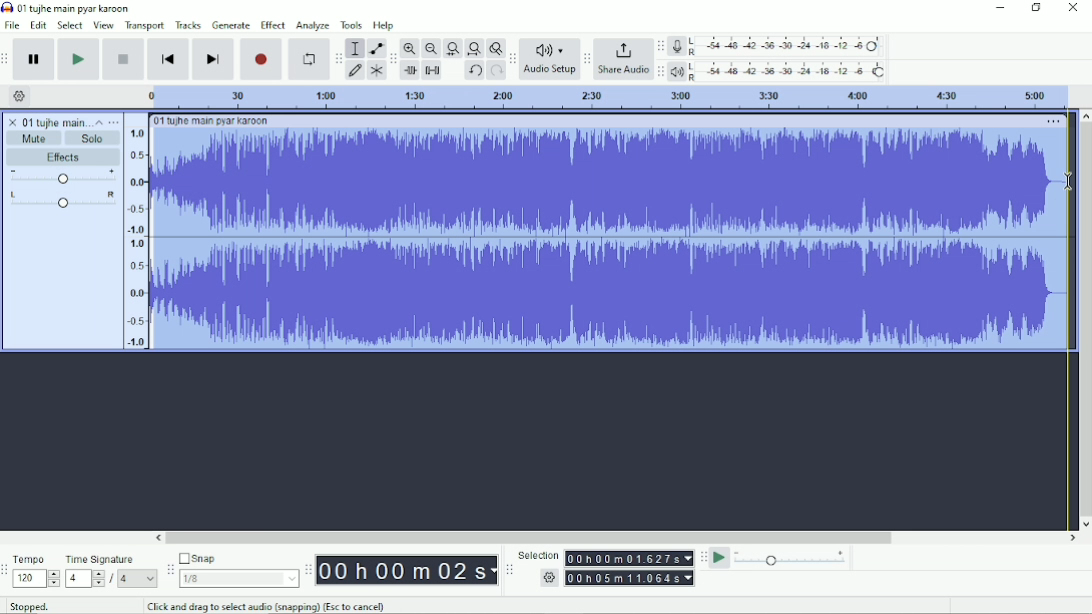  Describe the element at coordinates (549, 59) in the screenshot. I see `Audio Setup` at that location.